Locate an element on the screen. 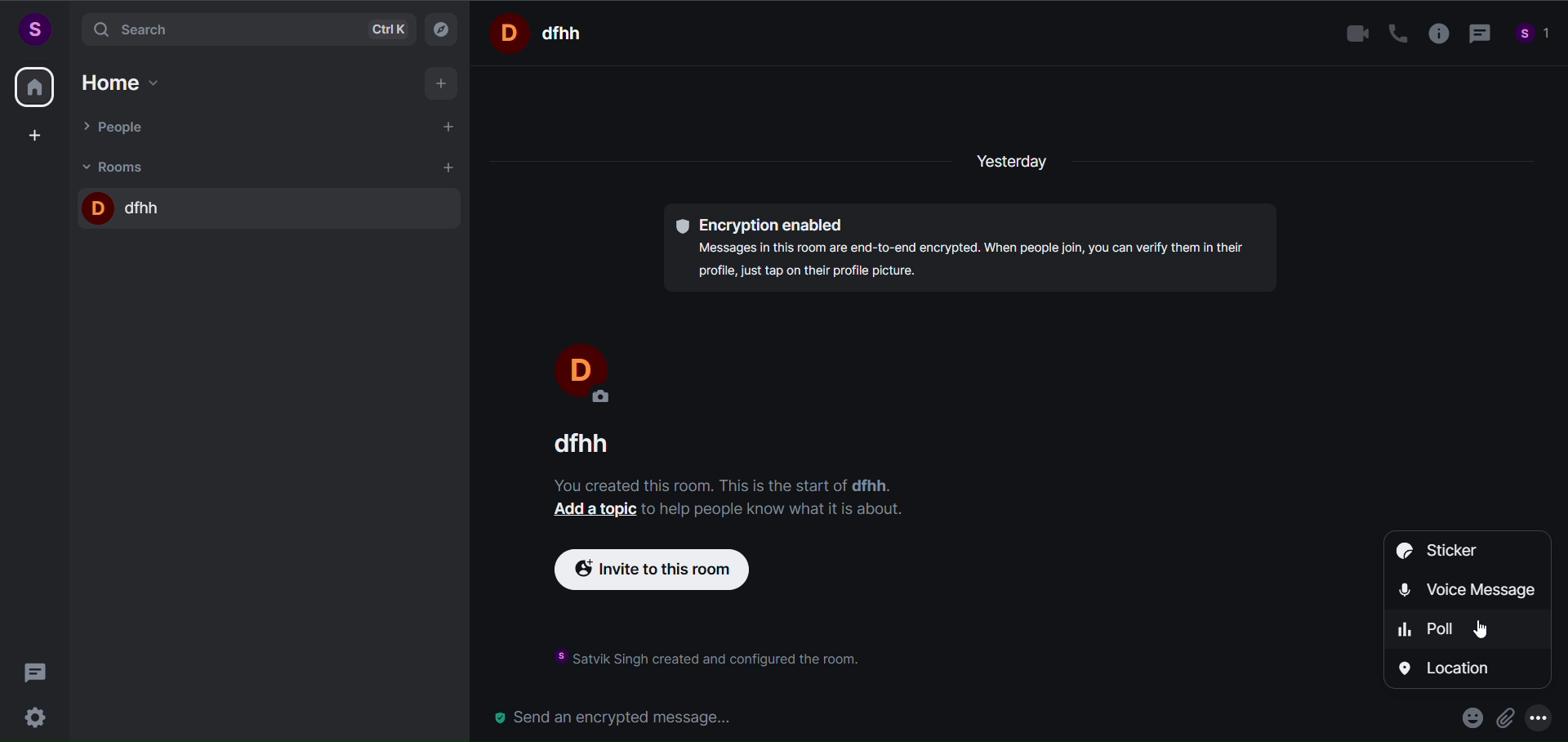 The width and height of the screenshot is (1568, 742). room name is located at coordinates (125, 204).